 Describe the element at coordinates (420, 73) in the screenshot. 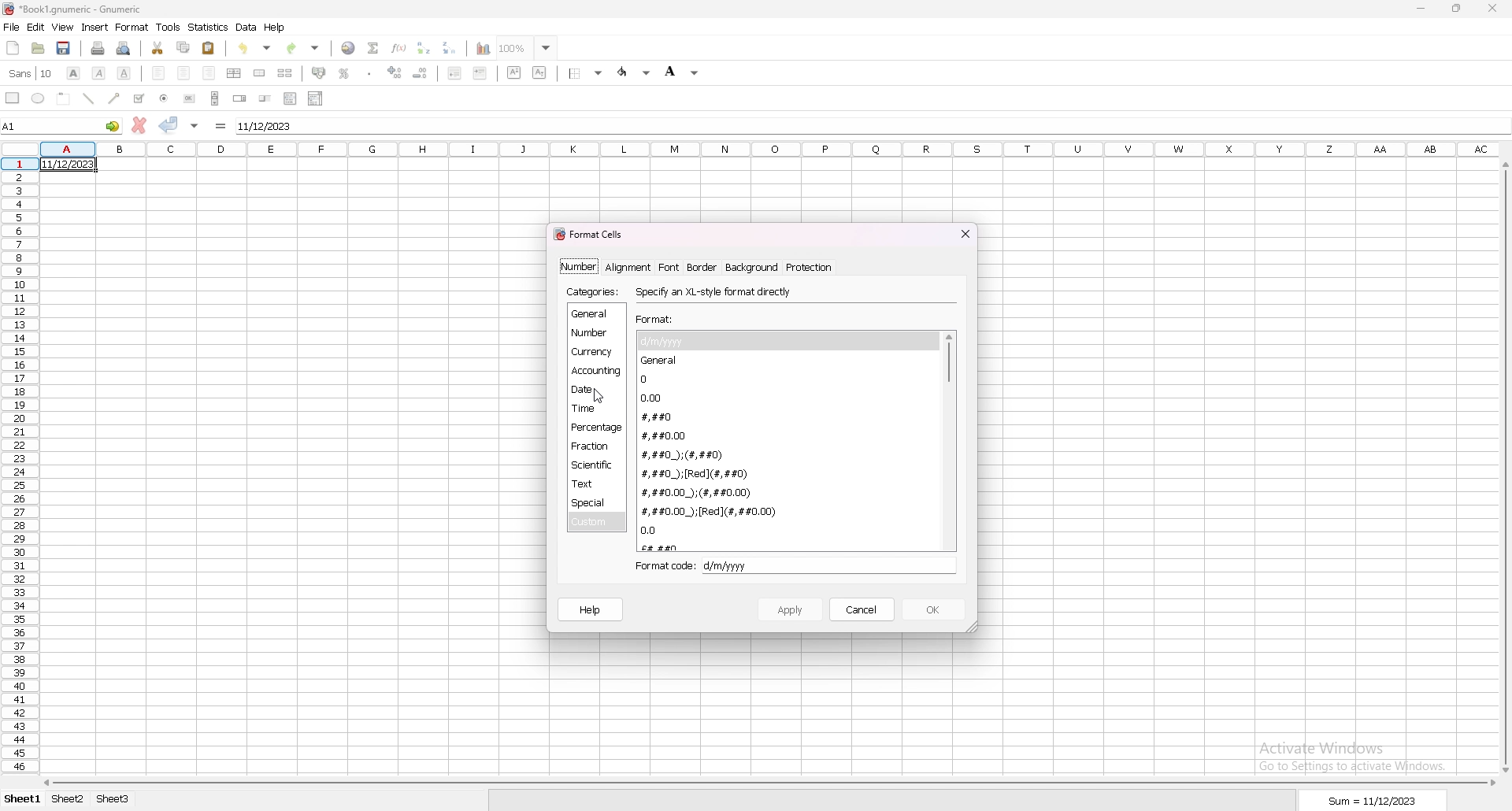

I see `decrease indent` at that location.